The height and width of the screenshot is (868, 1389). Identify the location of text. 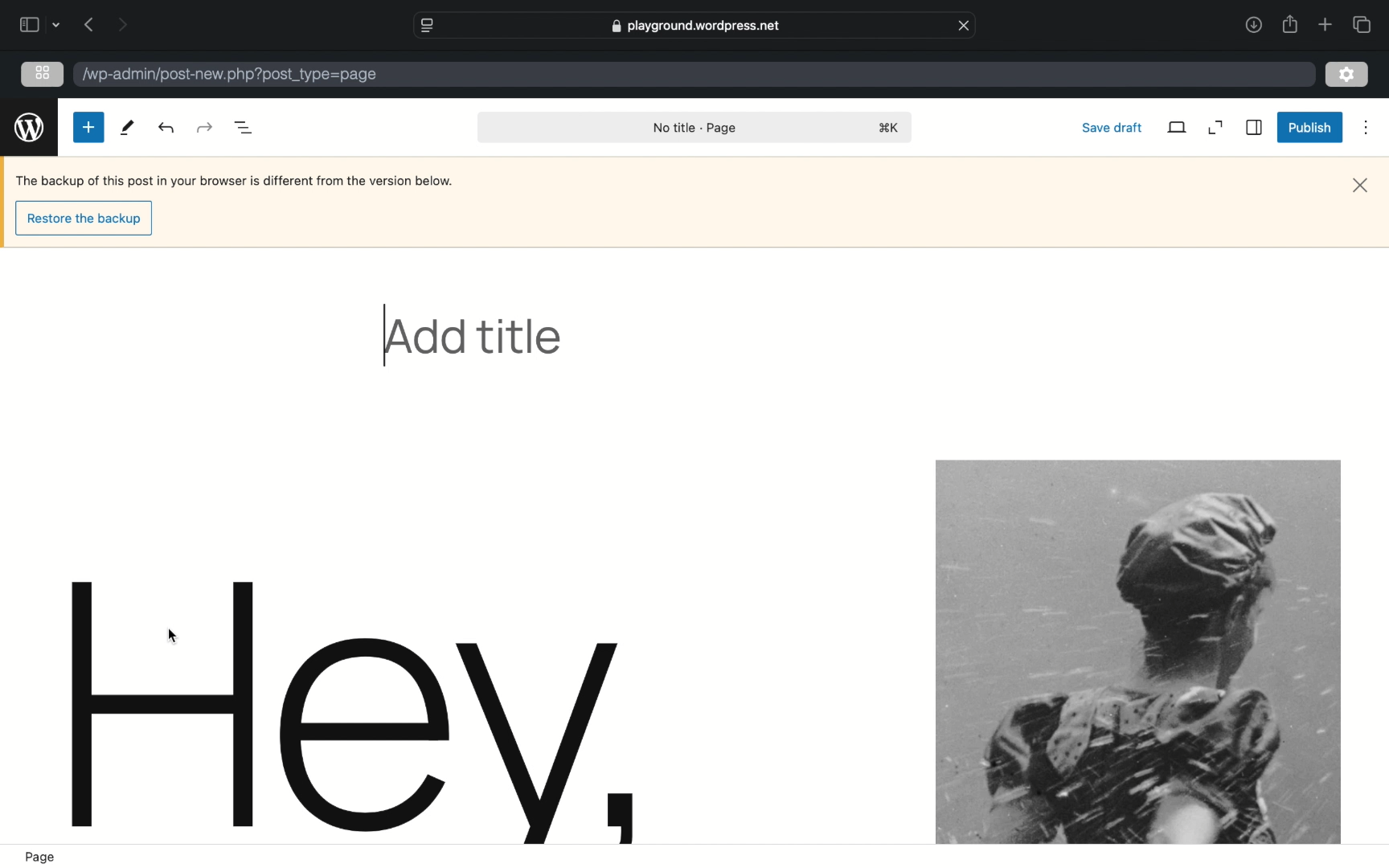
(360, 712).